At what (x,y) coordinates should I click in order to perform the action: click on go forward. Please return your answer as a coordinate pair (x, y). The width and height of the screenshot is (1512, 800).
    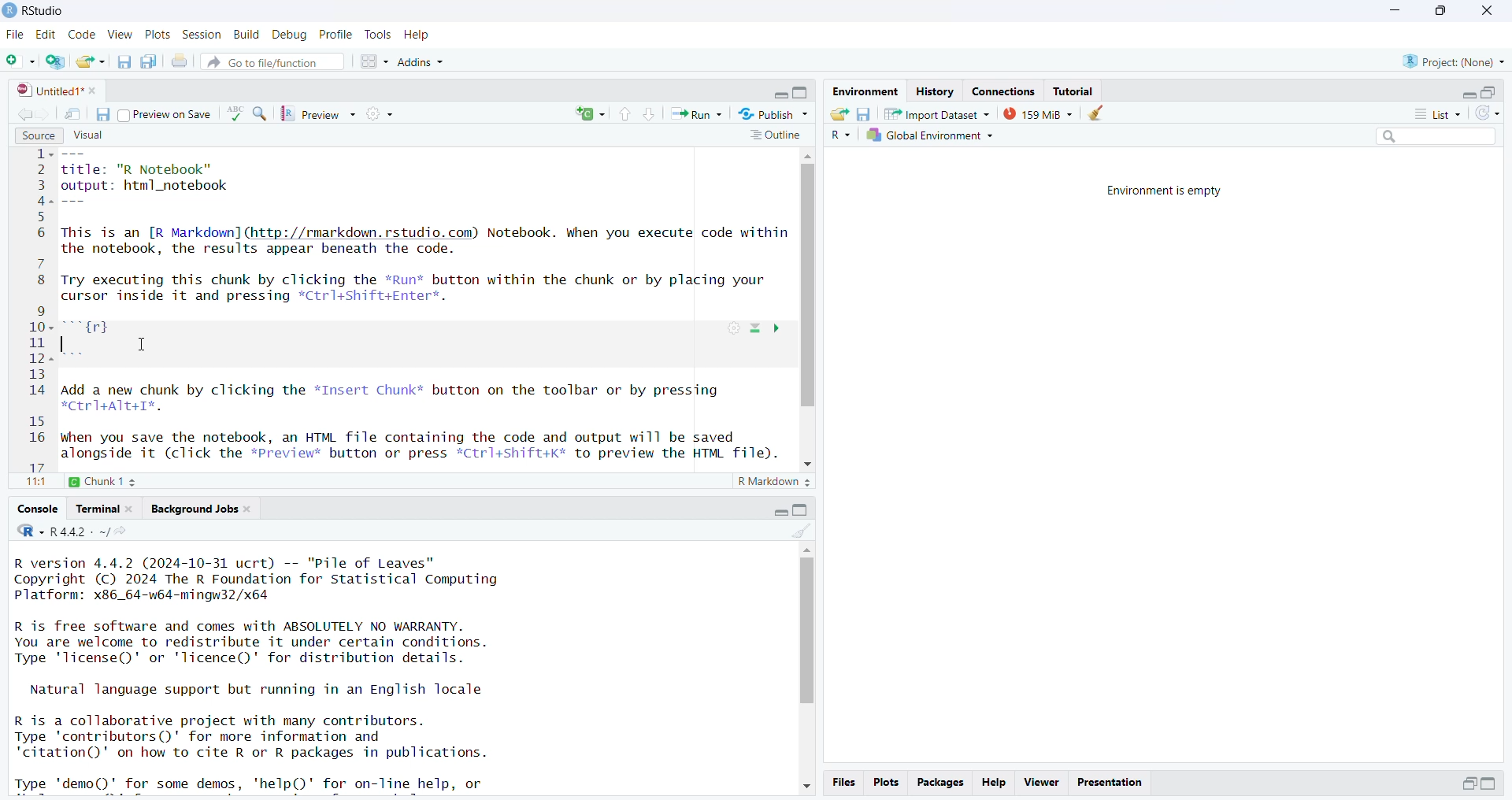
    Looking at the image, I should click on (46, 113).